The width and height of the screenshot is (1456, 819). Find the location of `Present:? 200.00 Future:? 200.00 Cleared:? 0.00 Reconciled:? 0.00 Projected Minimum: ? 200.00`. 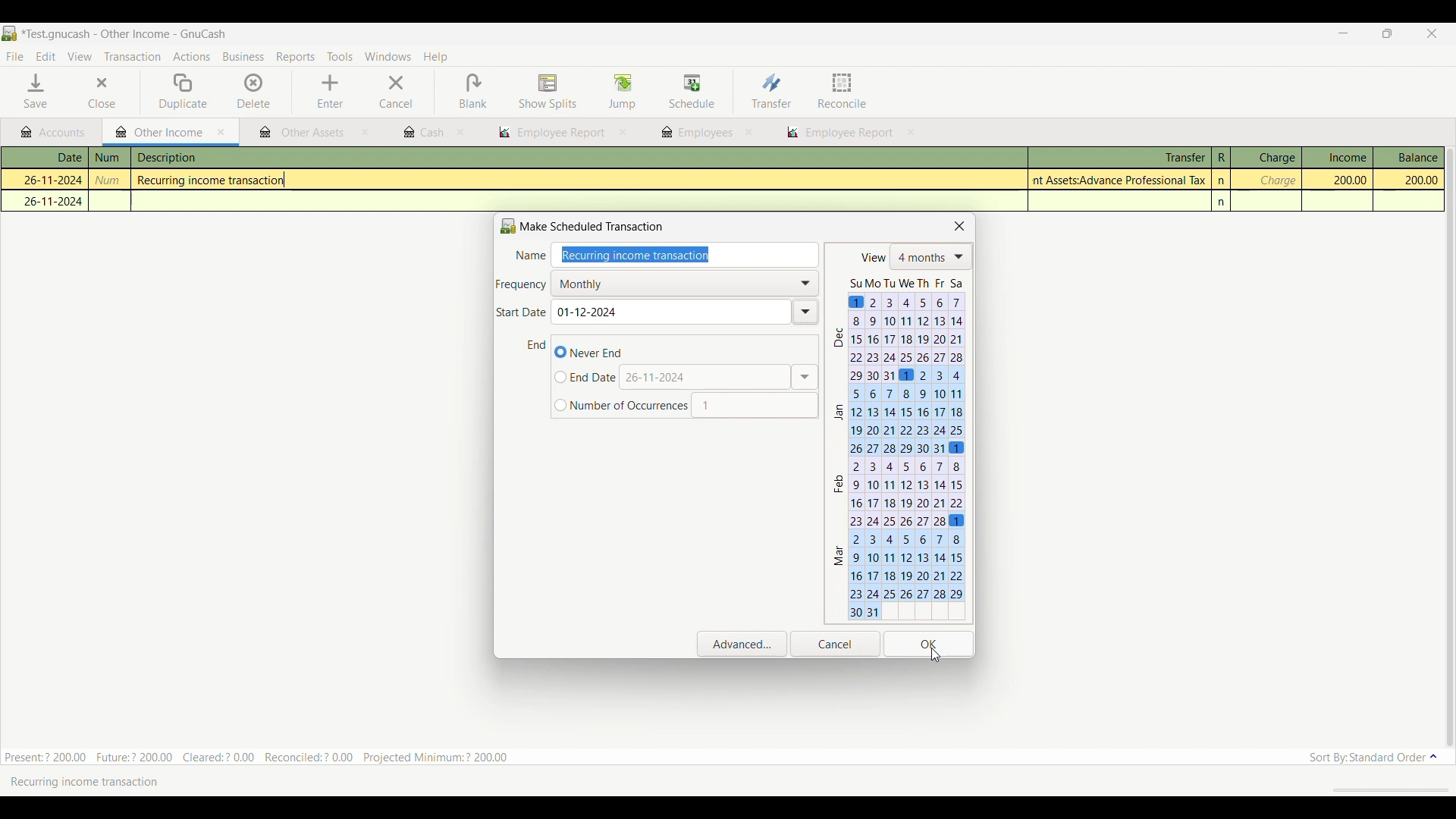

Present:? 200.00 Future:? 200.00 Cleared:? 0.00 Reconciled:? 0.00 Projected Minimum: ? 200.00 is located at coordinates (265, 755).